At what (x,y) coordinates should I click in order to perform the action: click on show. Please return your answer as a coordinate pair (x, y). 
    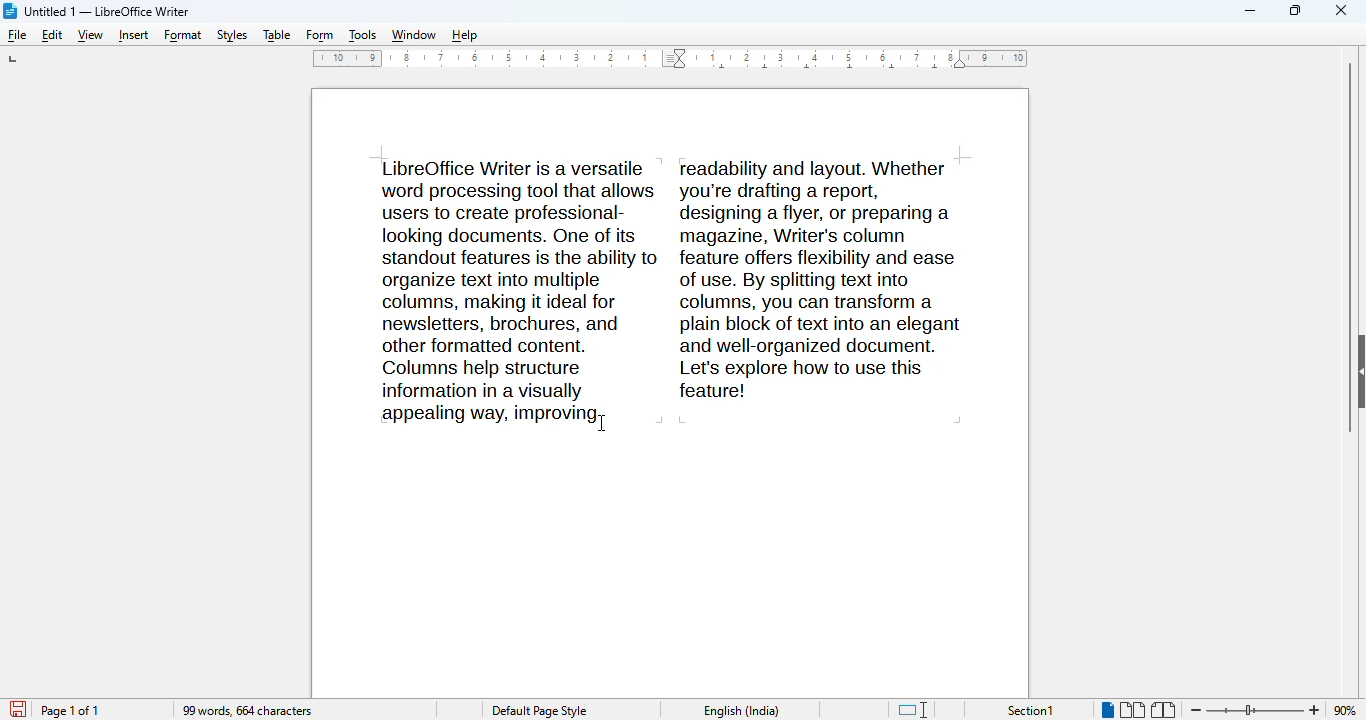
    Looking at the image, I should click on (1357, 371).